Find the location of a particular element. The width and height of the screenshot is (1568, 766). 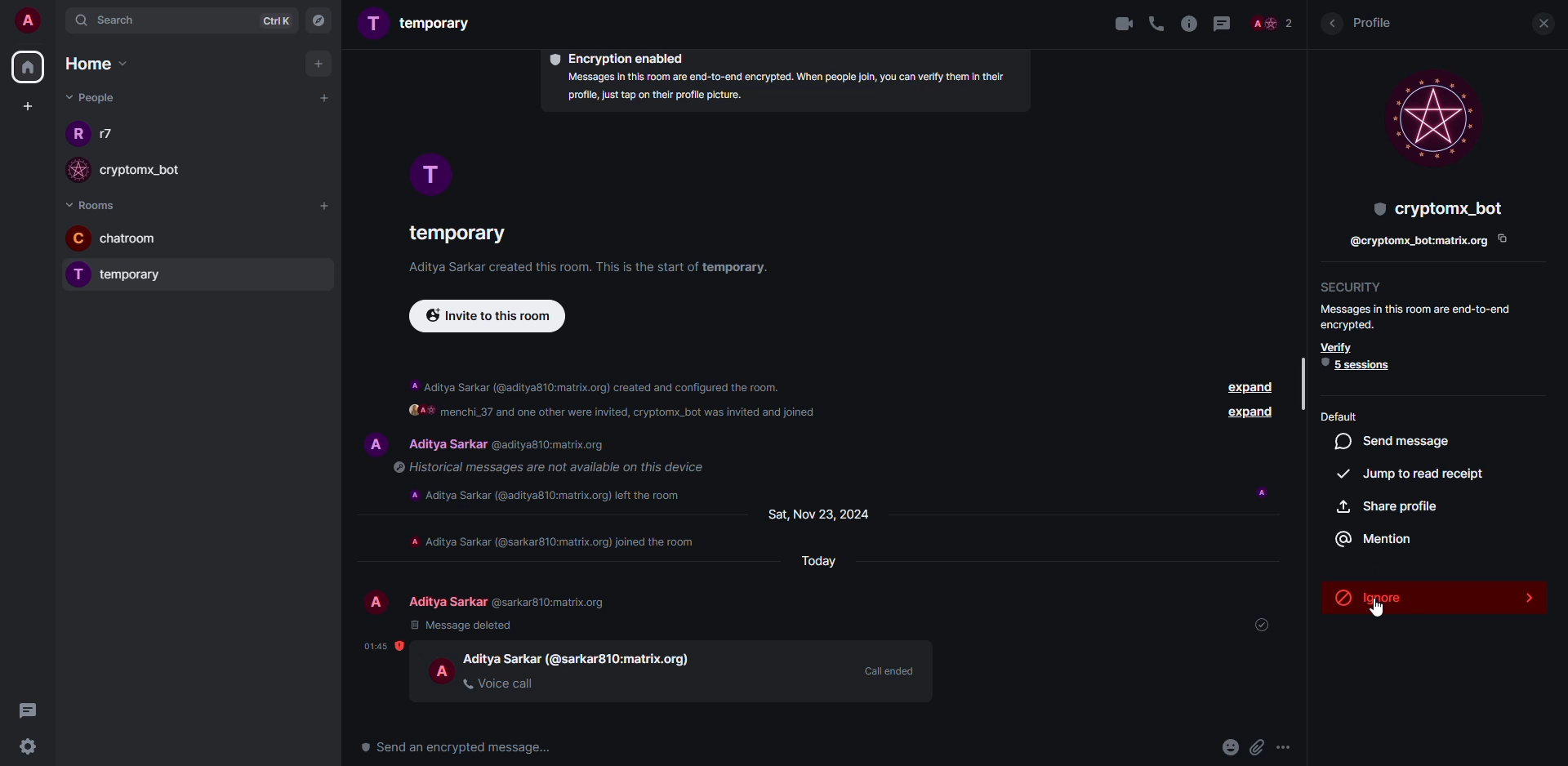

day is located at coordinates (826, 513).